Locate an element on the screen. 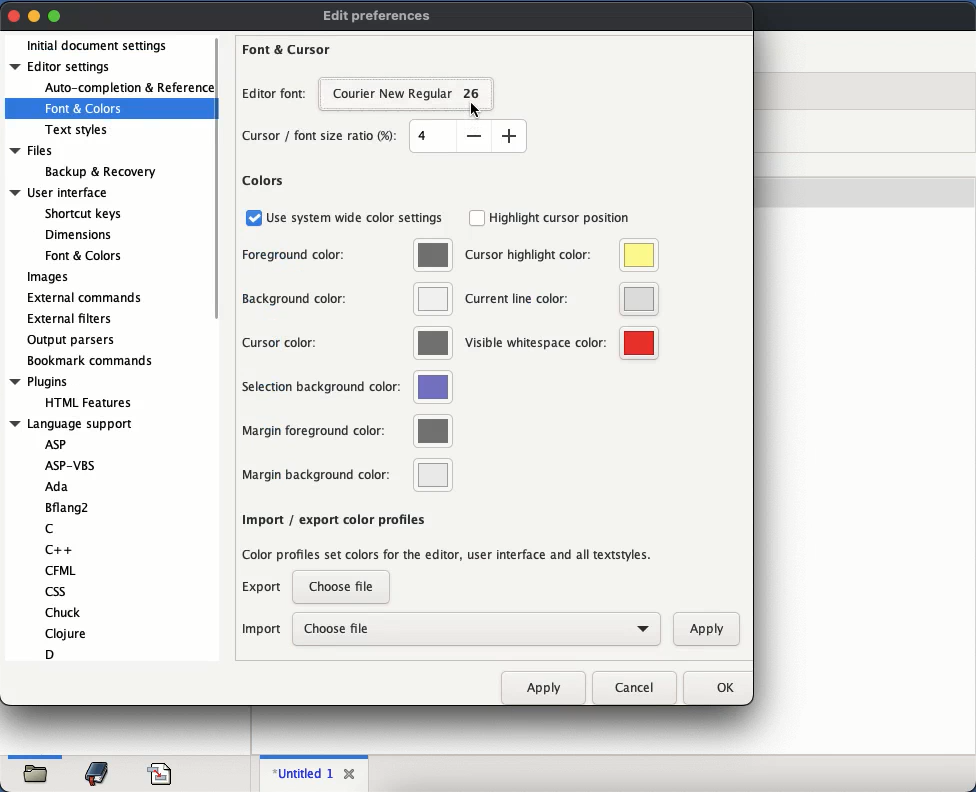 The image size is (976, 792). HTML Features is located at coordinates (89, 402).